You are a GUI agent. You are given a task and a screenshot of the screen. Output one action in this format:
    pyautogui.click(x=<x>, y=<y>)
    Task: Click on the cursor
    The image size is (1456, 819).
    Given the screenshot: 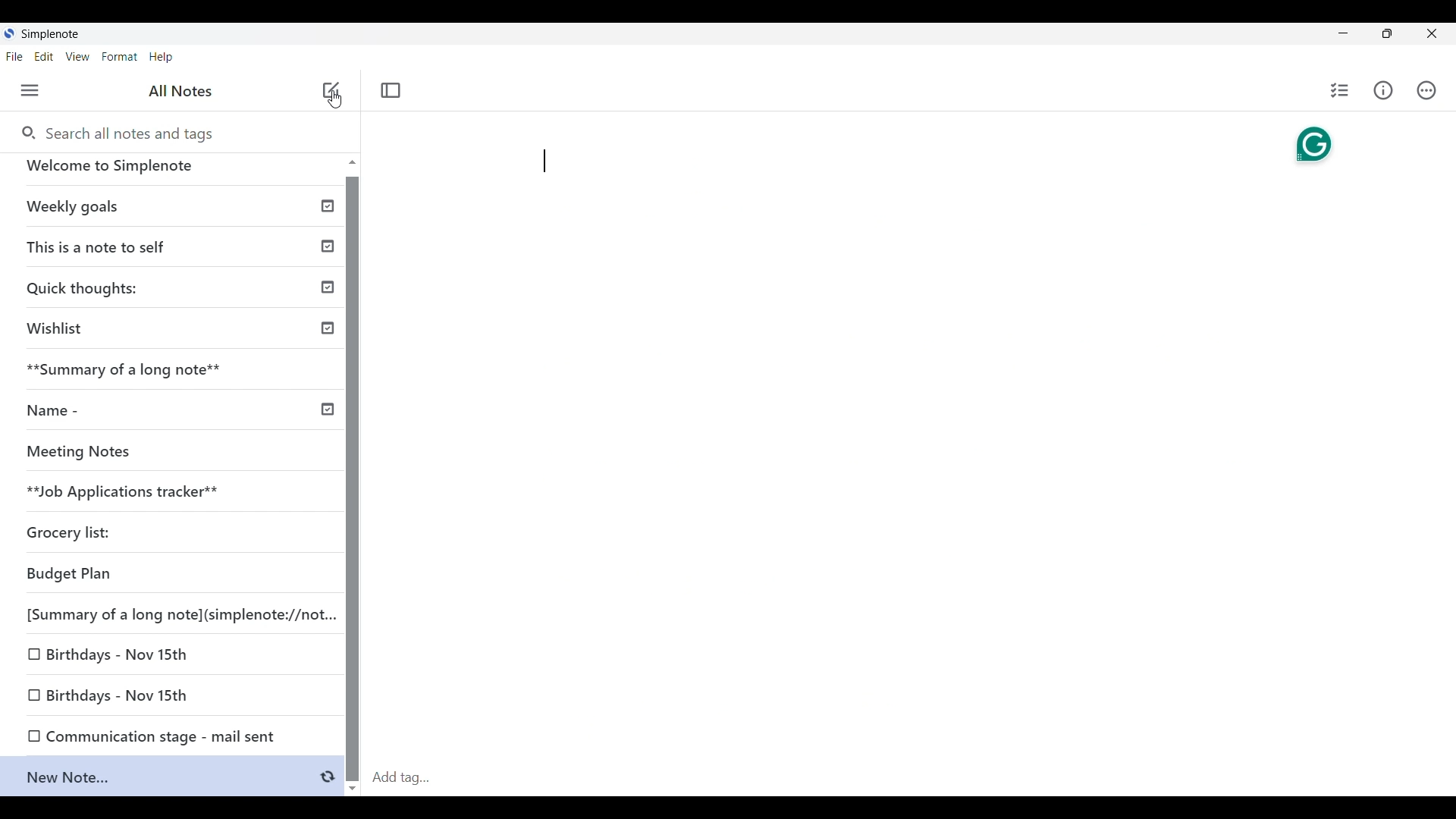 What is the action you would take?
    pyautogui.click(x=332, y=99)
    